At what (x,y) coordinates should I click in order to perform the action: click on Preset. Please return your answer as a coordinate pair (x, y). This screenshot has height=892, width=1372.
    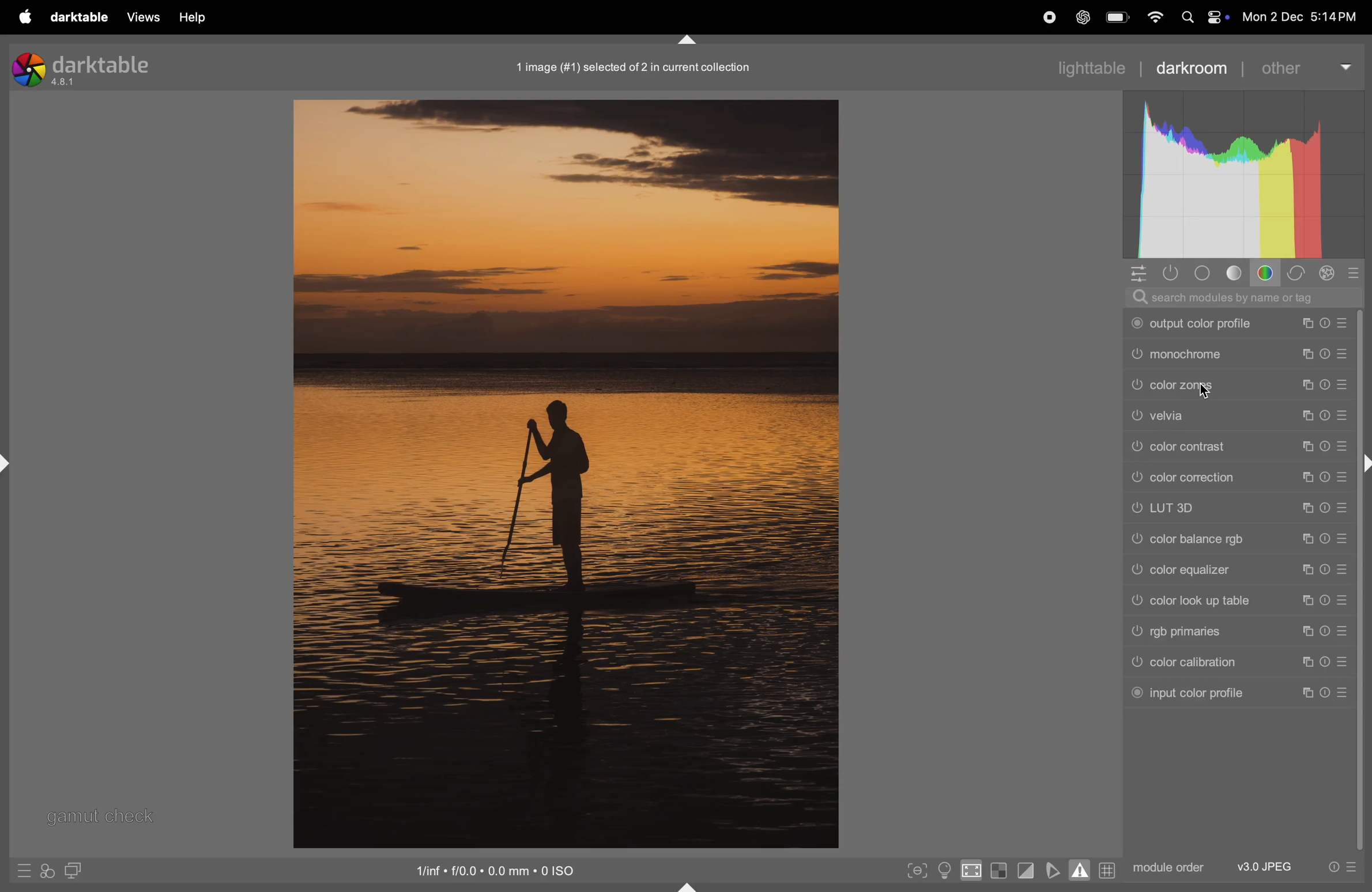
    Looking at the image, I should click on (1344, 631).